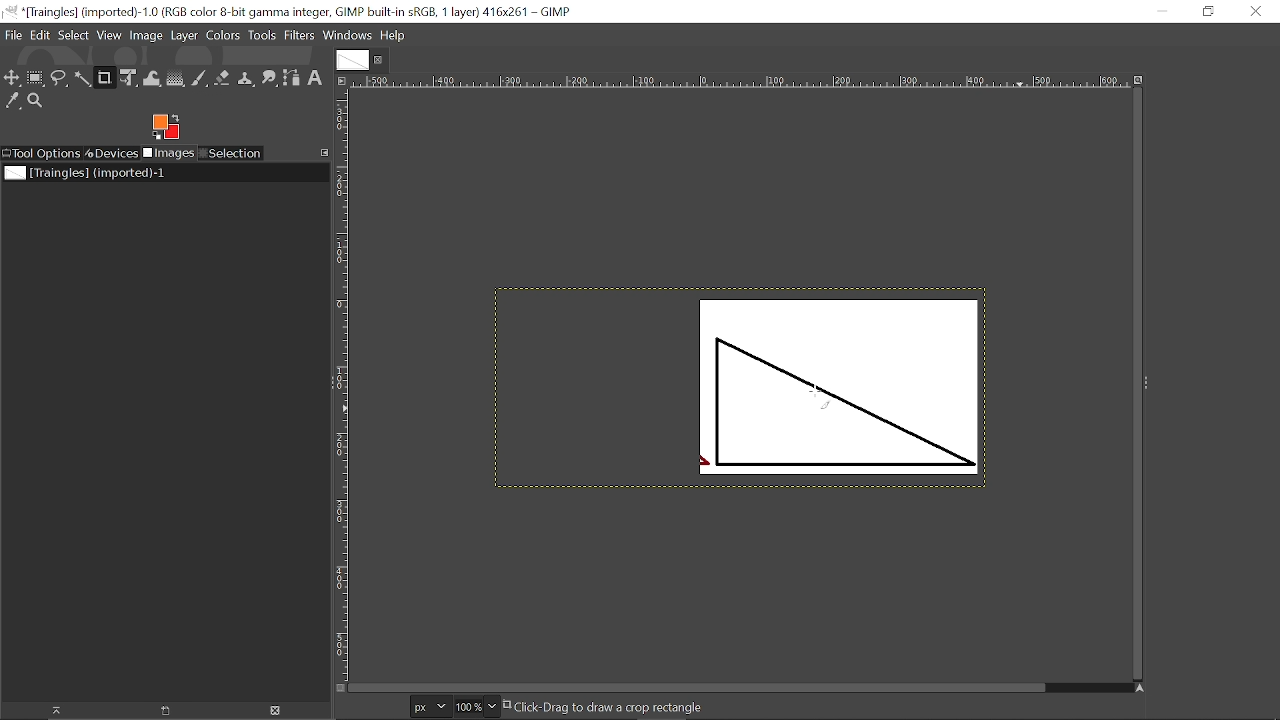 This screenshot has width=1280, height=720. Describe the element at coordinates (343, 77) in the screenshot. I see `Access the image menu` at that location.